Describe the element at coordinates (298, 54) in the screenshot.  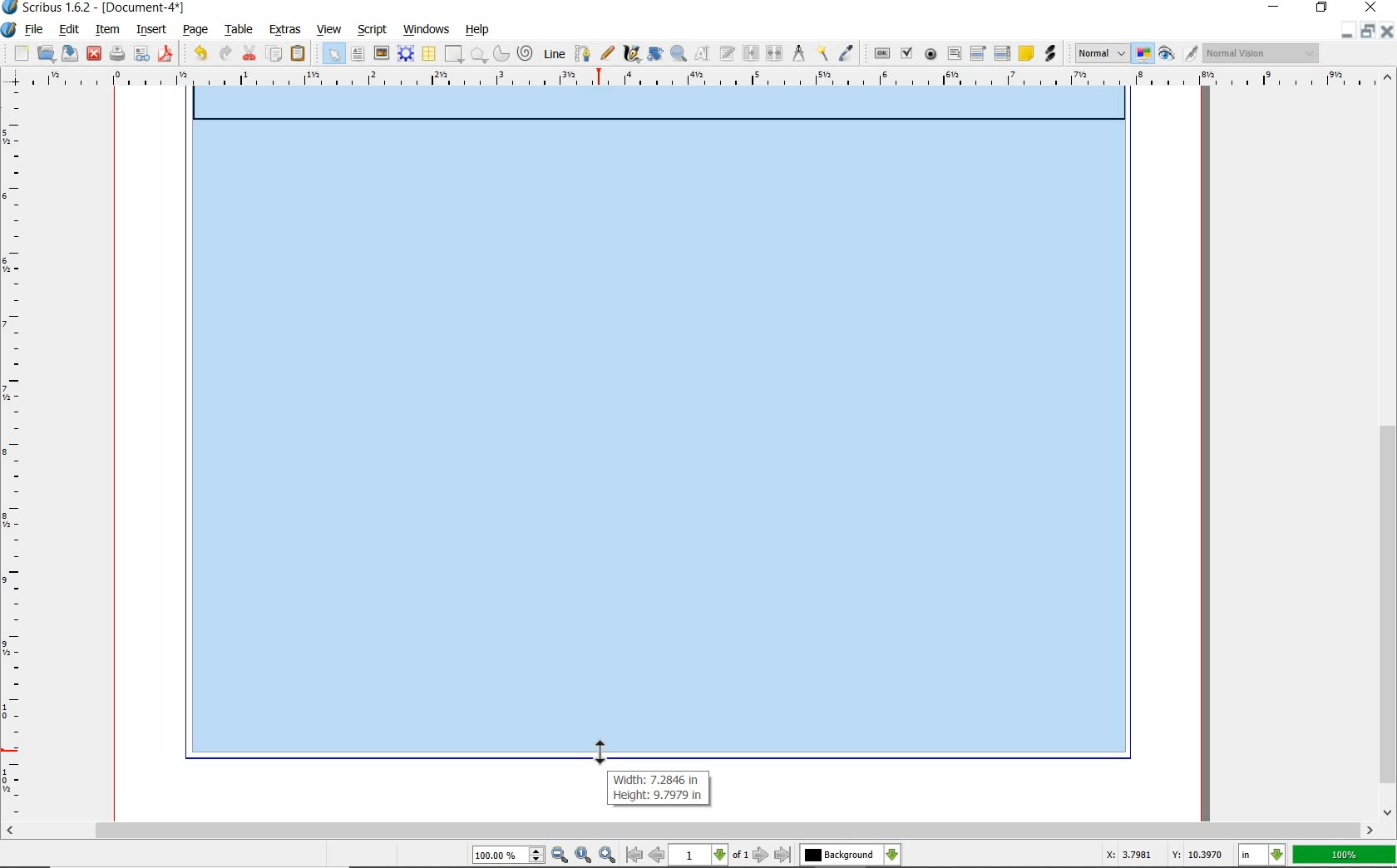
I see `paste` at that location.